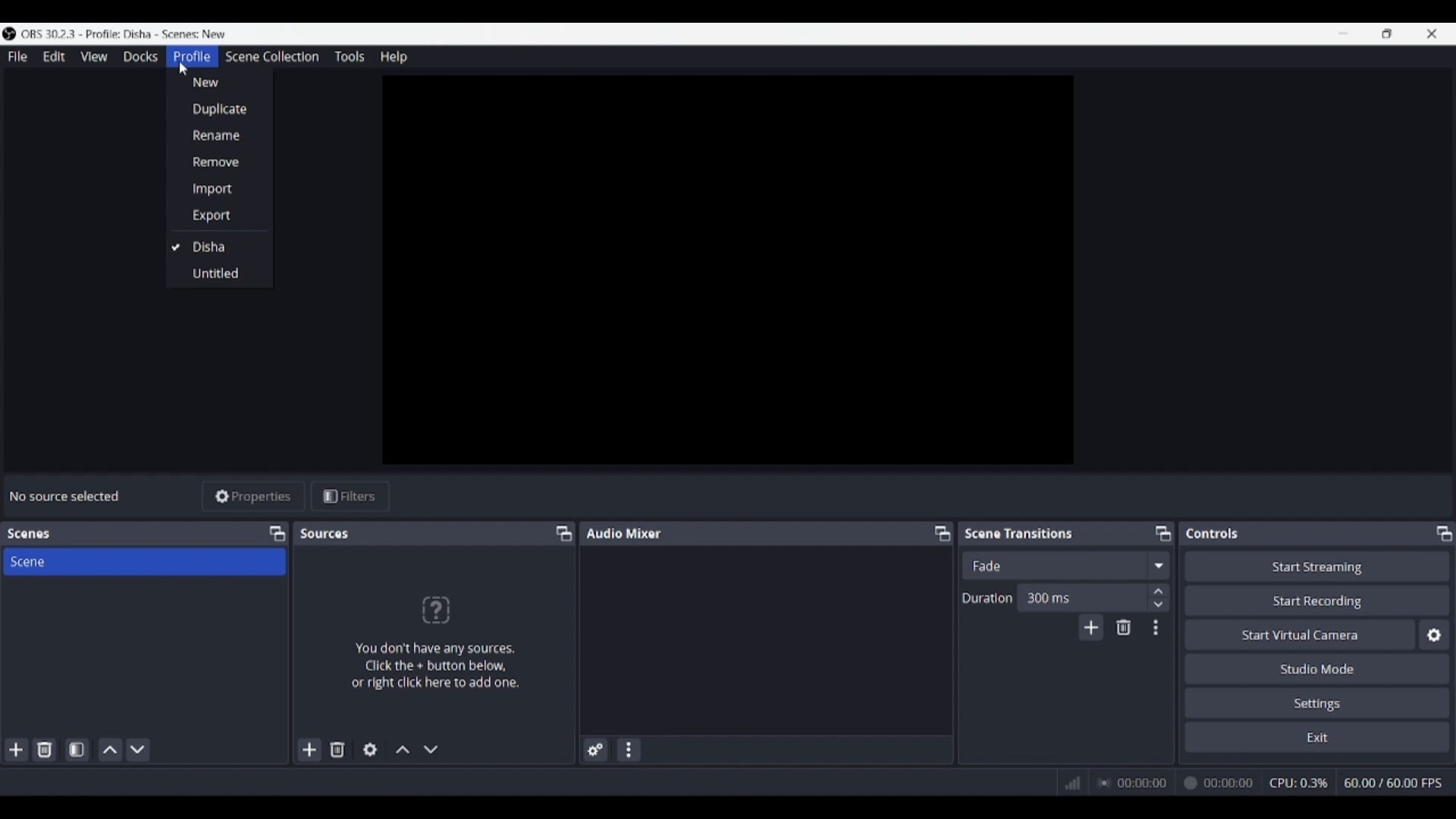 The image size is (1456, 819). Describe the element at coordinates (1019, 532) in the screenshot. I see `Panel title` at that location.